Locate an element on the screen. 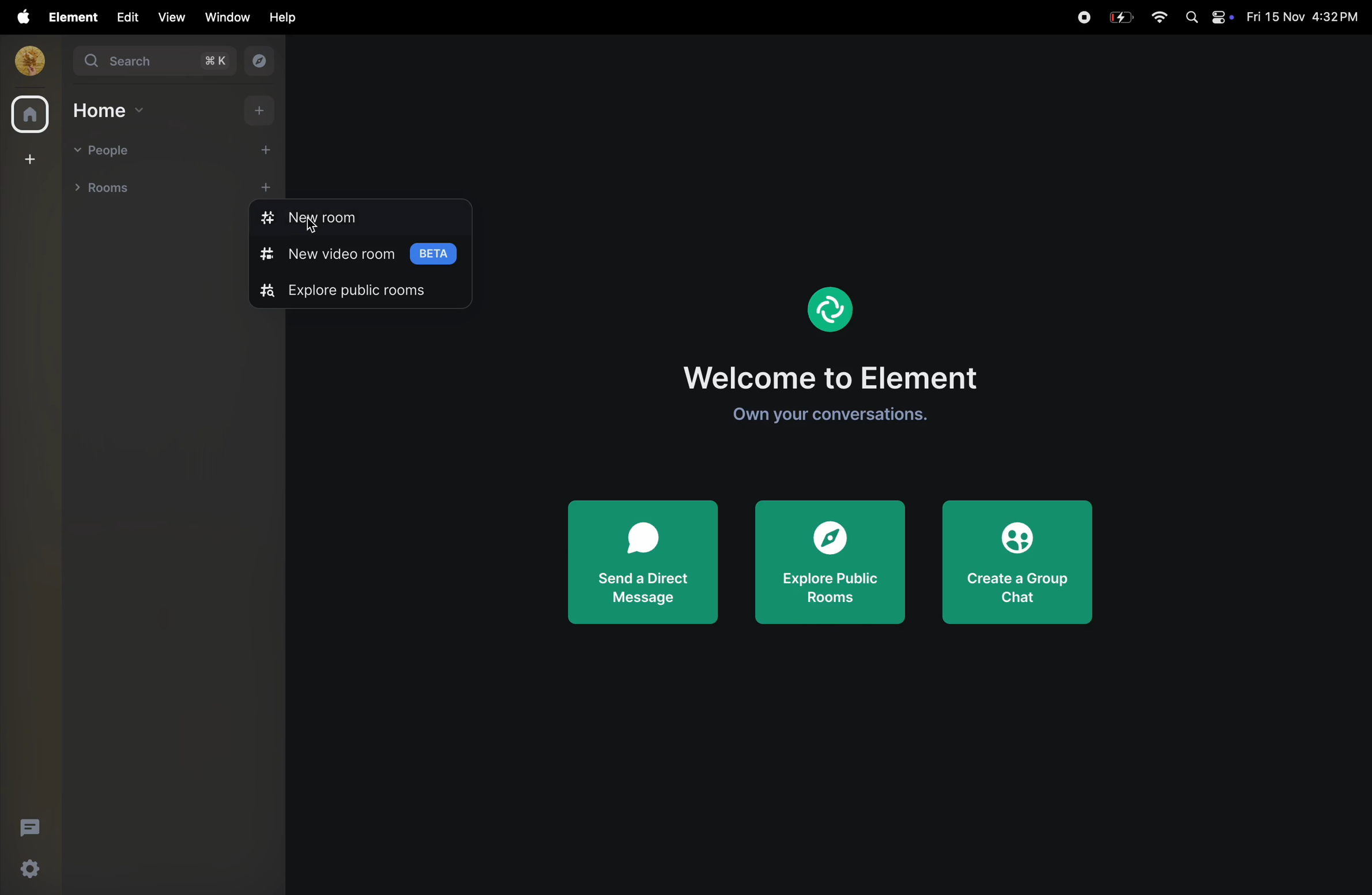 This screenshot has height=895, width=1372. rooms is located at coordinates (114, 190).